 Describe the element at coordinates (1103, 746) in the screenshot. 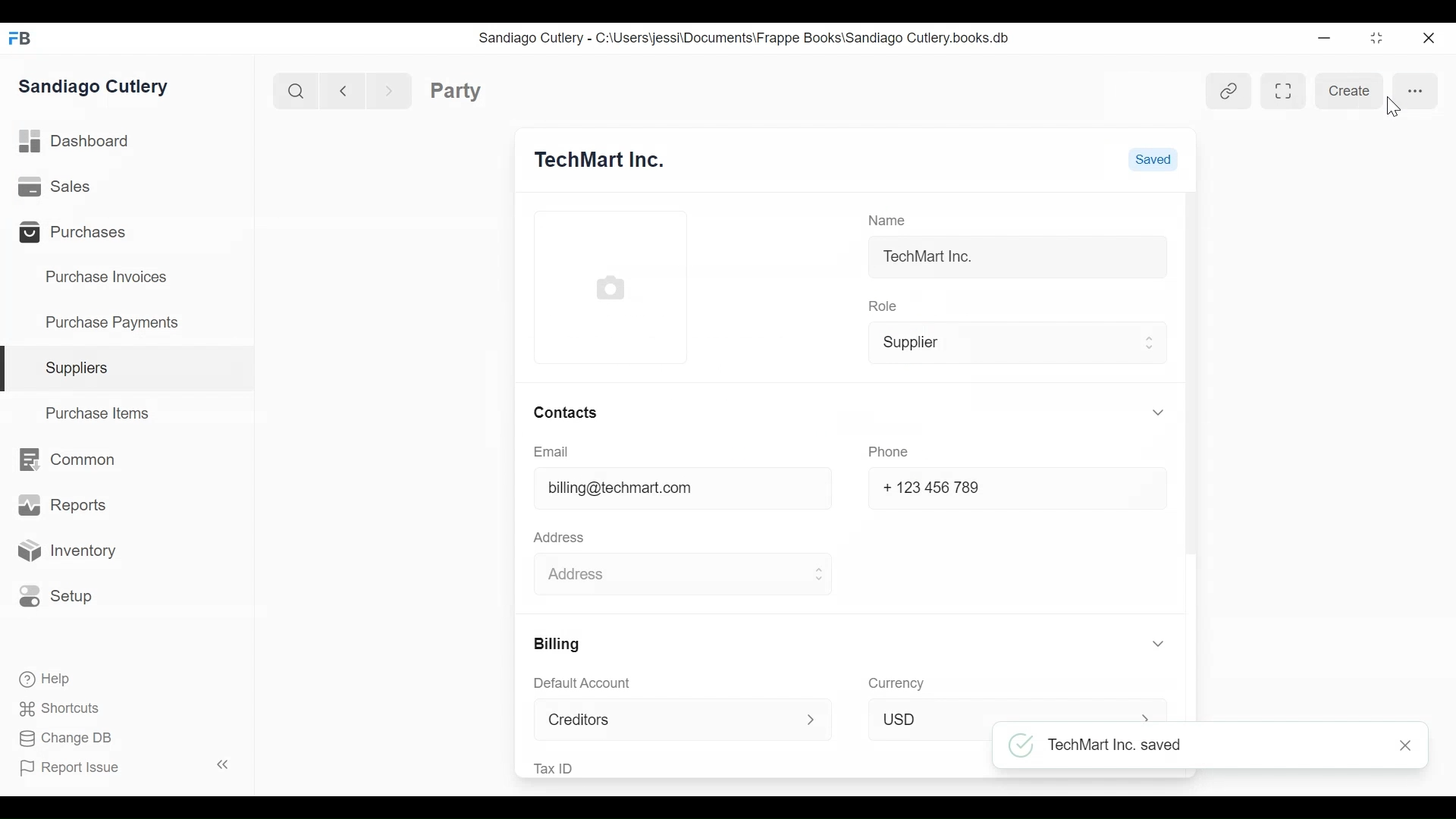

I see `TechMart Inc. saved` at that location.